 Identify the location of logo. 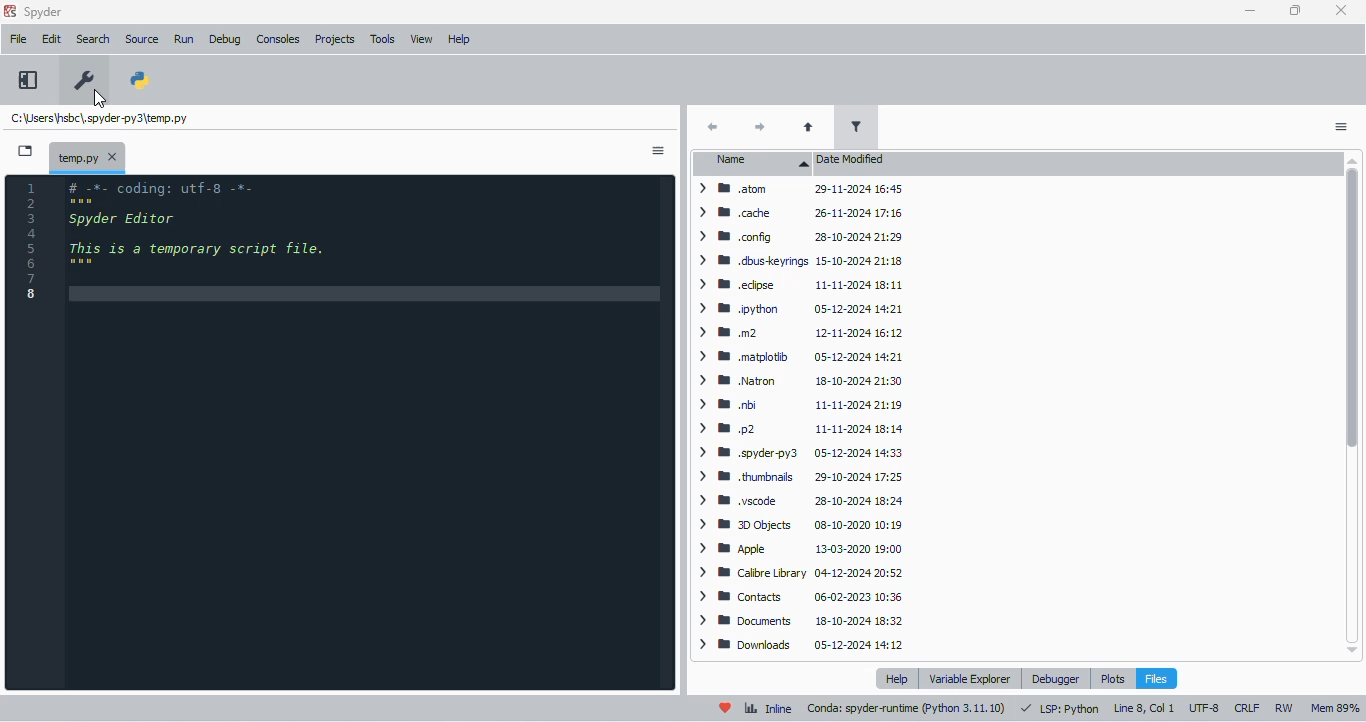
(10, 11).